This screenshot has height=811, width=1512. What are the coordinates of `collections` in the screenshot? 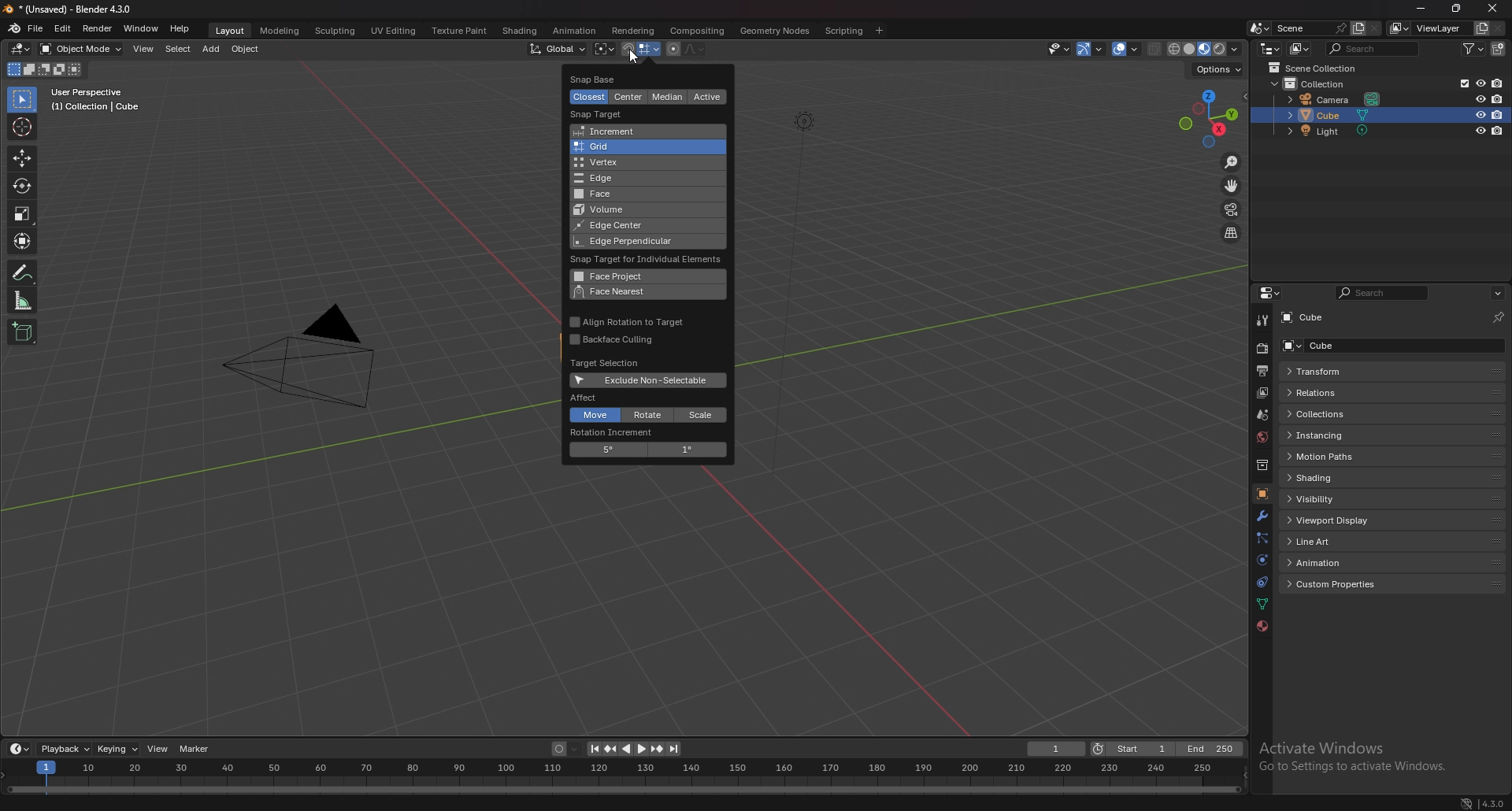 It's located at (1336, 414).